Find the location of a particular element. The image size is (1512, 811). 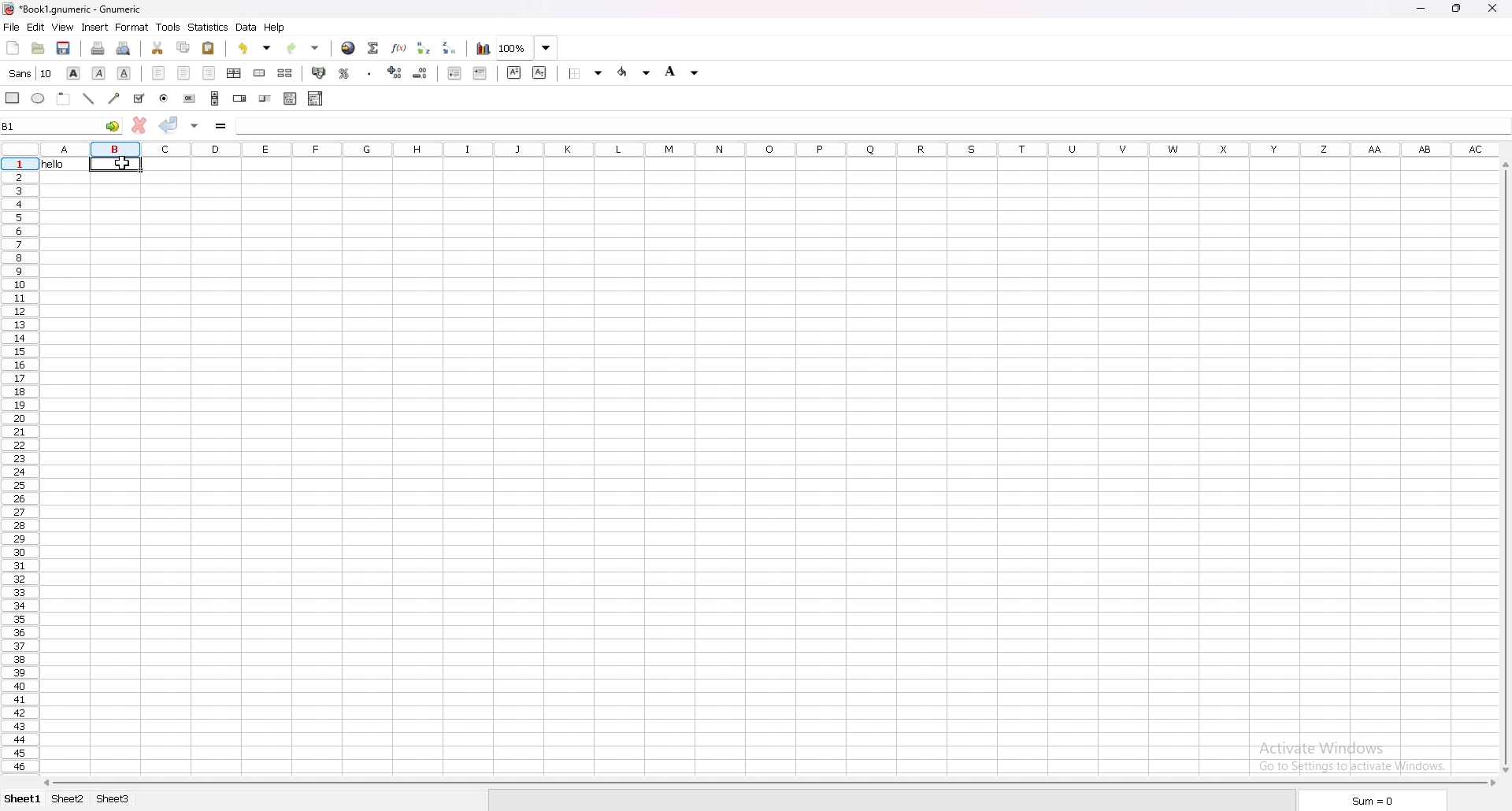

scroll bar is located at coordinates (1504, 469).